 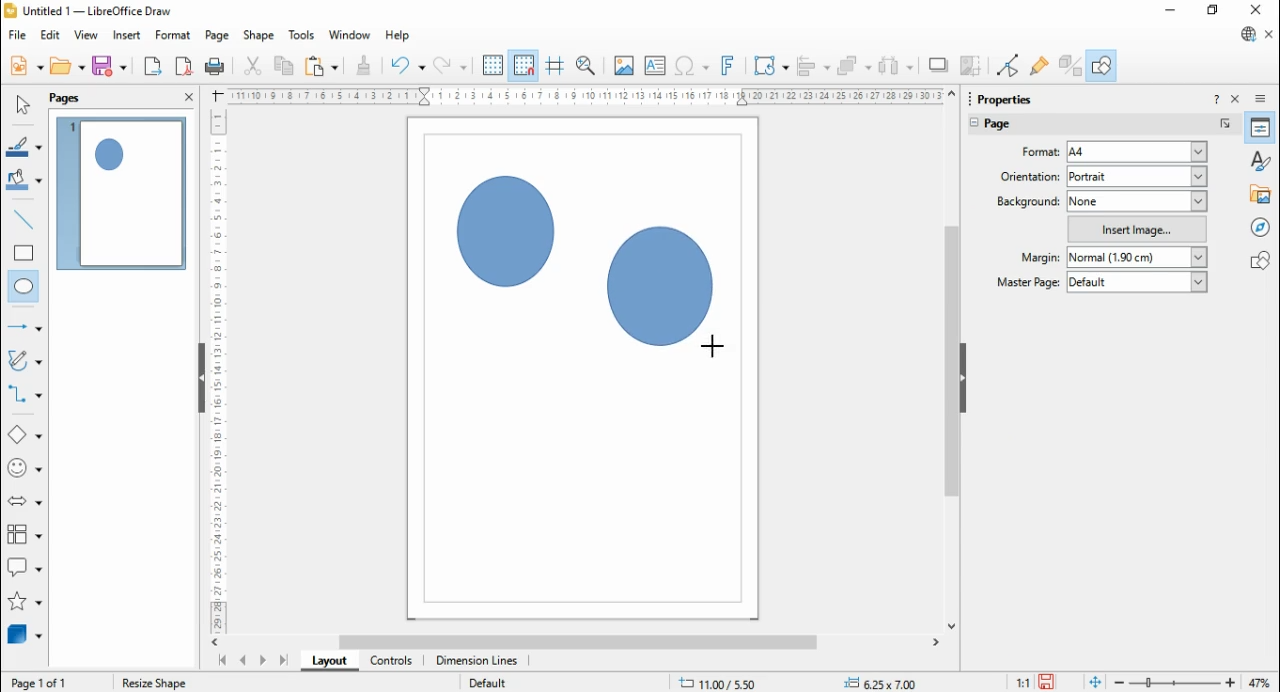 What do you see at coordinates (1137, 201) in the screenshot?
I see `none` at bounding box center [1137, 201].